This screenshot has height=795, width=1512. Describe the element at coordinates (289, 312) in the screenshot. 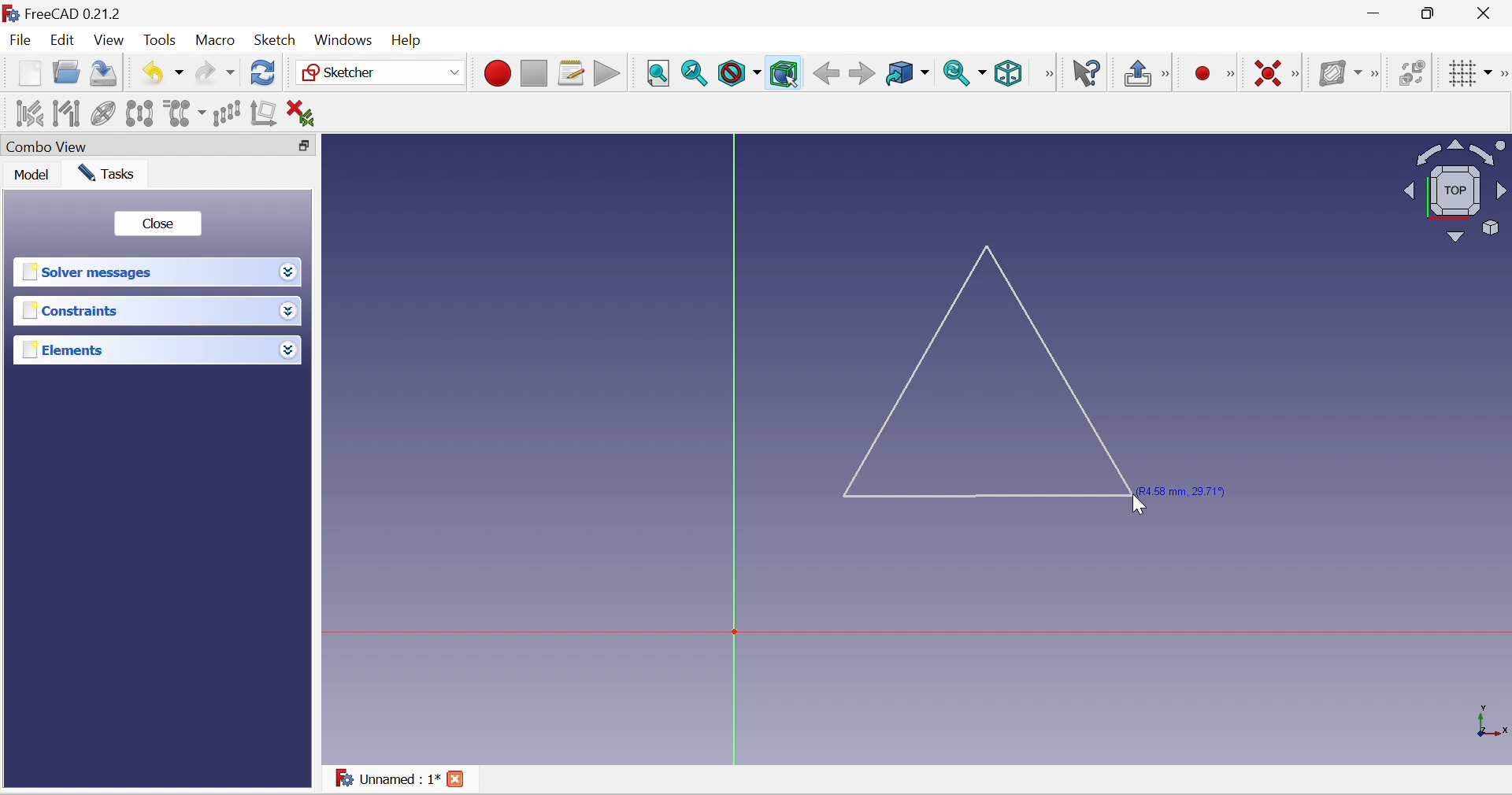

I see `Drop down` at that location.